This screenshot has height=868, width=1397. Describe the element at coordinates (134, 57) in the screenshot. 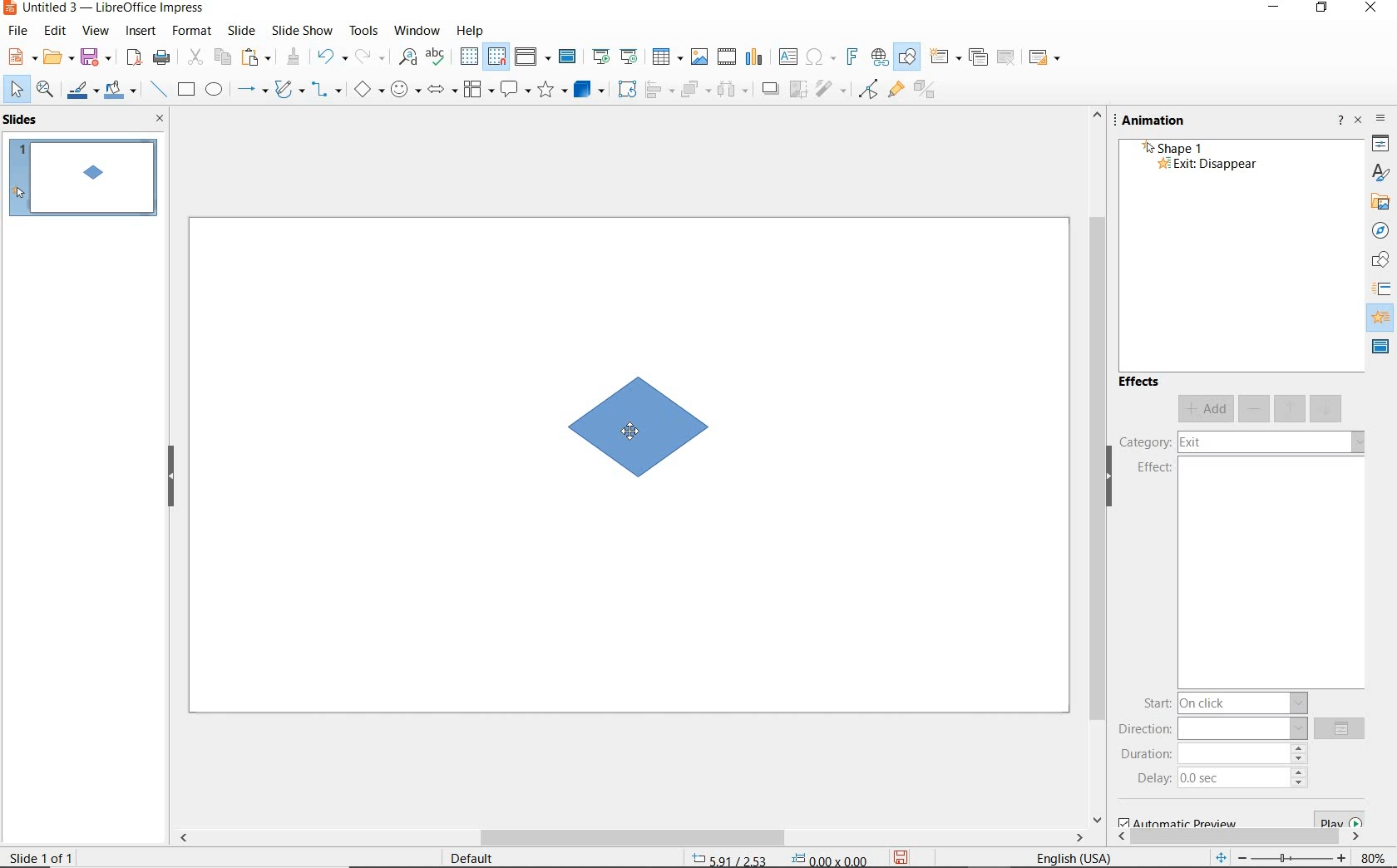

I see `export as pdf` at that location.